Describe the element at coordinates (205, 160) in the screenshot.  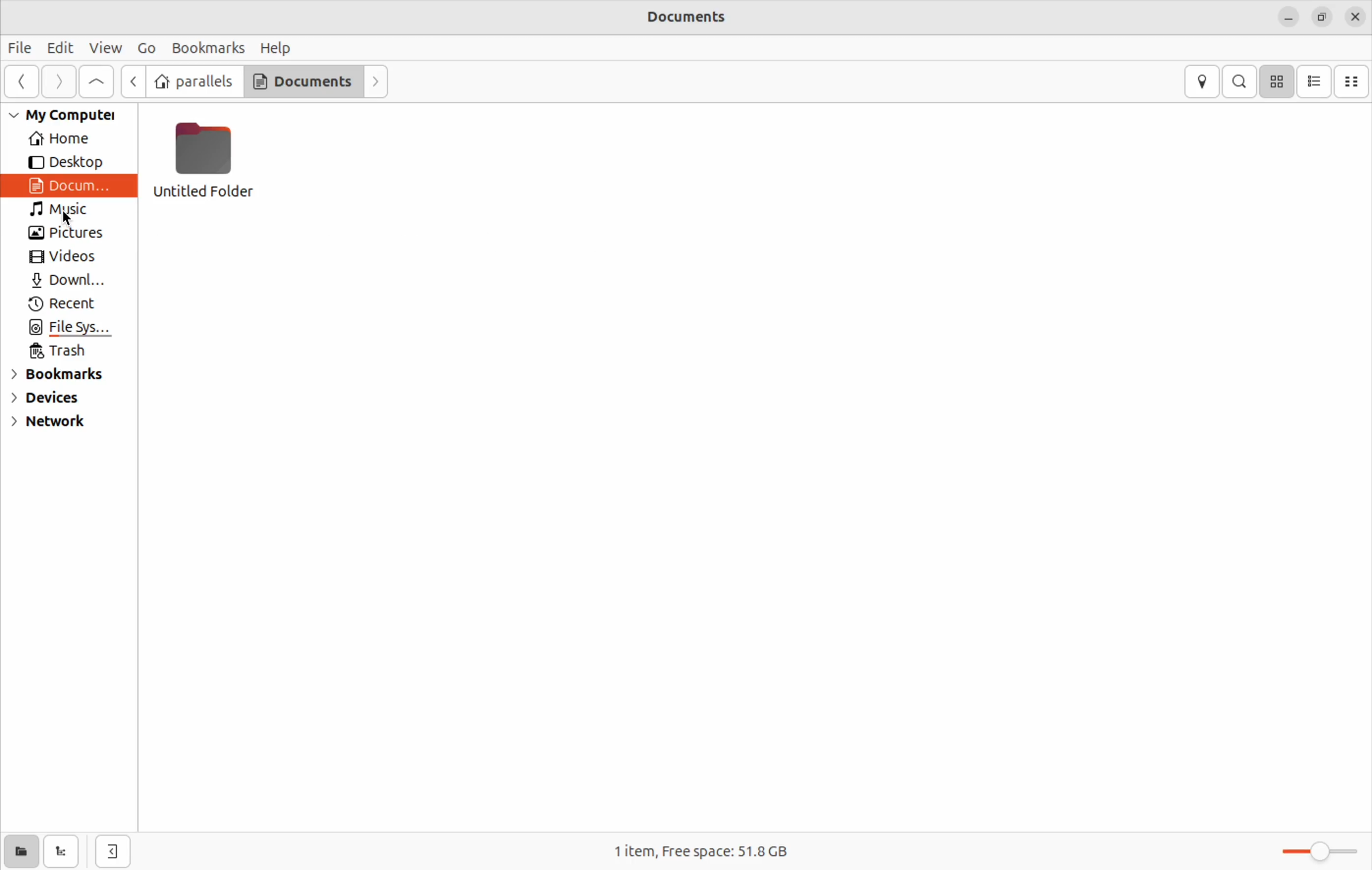
I see `Untitled Folder` at that location.